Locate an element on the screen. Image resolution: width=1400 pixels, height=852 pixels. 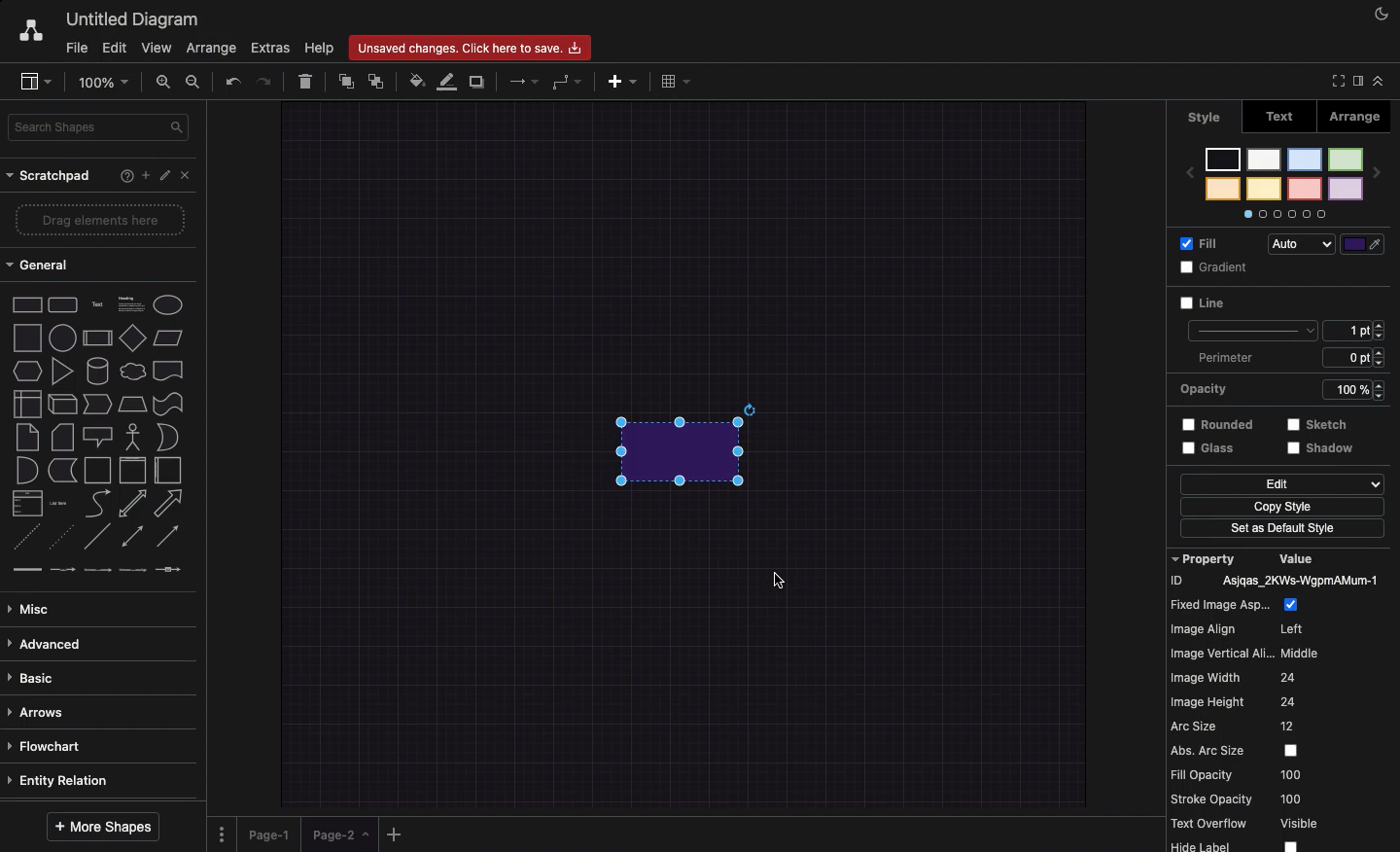
Cursor is located at coordinates (783, 580).